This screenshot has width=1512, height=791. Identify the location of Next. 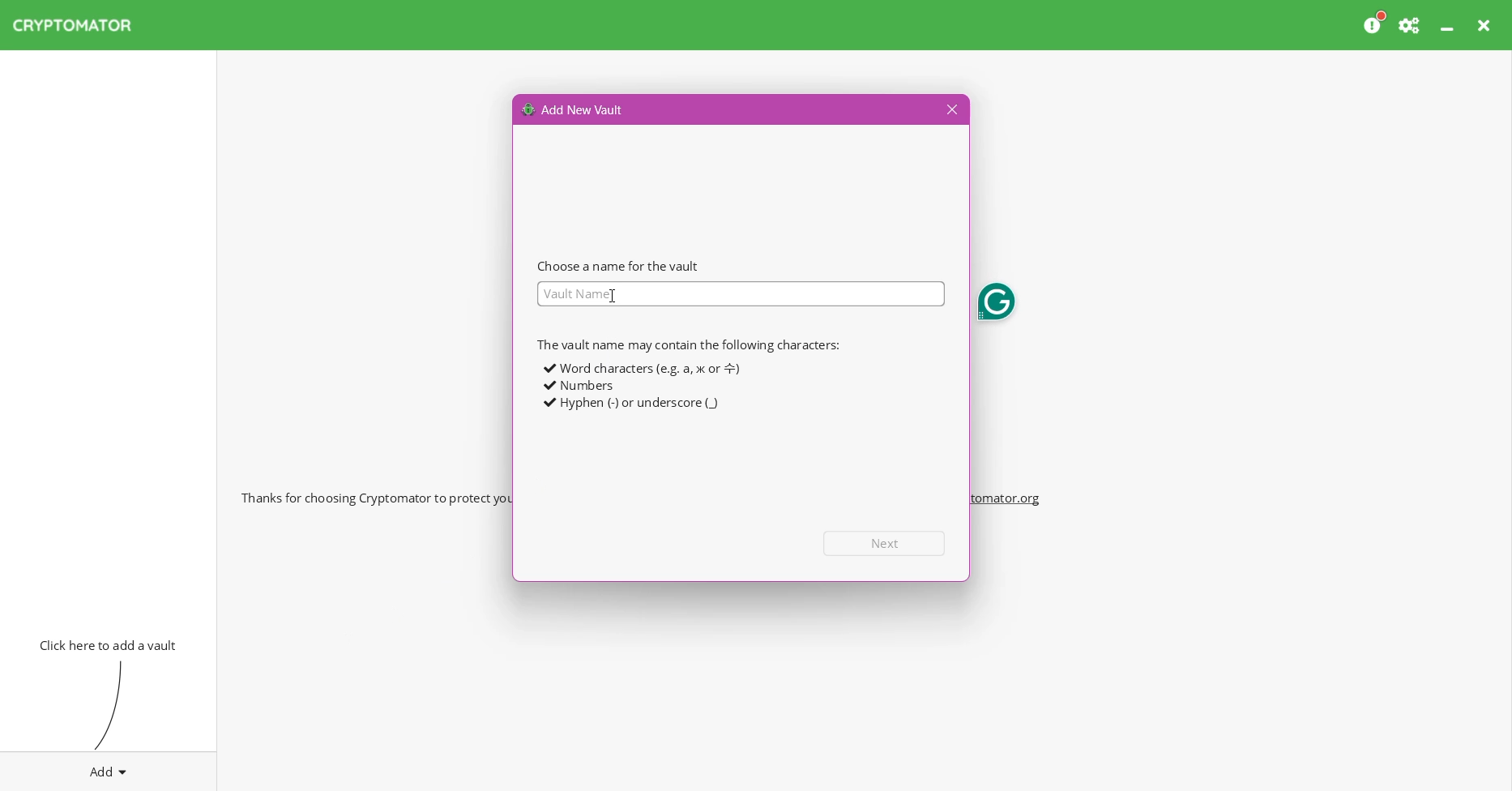
(885, 543).